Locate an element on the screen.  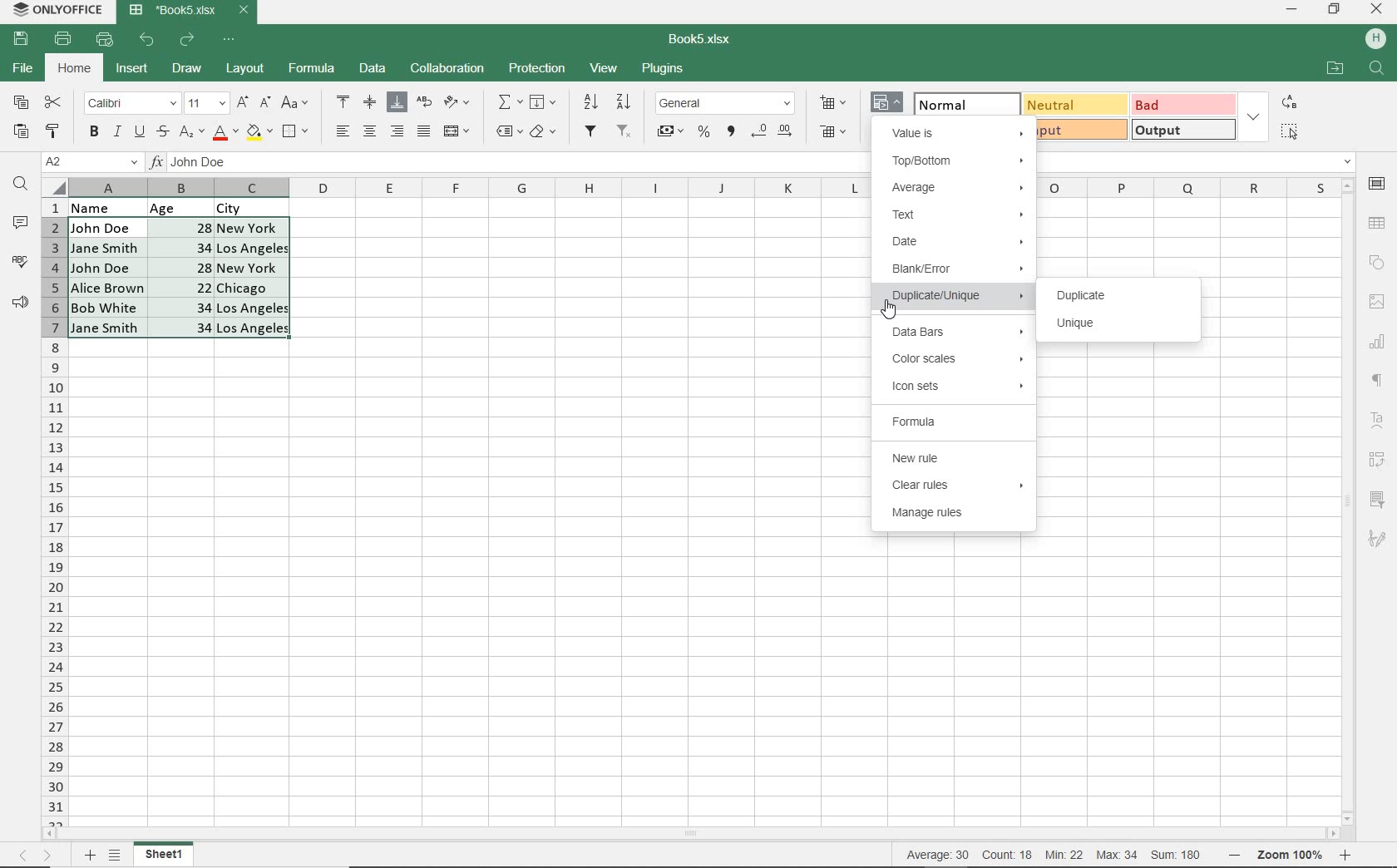
DATA BARS is located at coordinates (954, 333).